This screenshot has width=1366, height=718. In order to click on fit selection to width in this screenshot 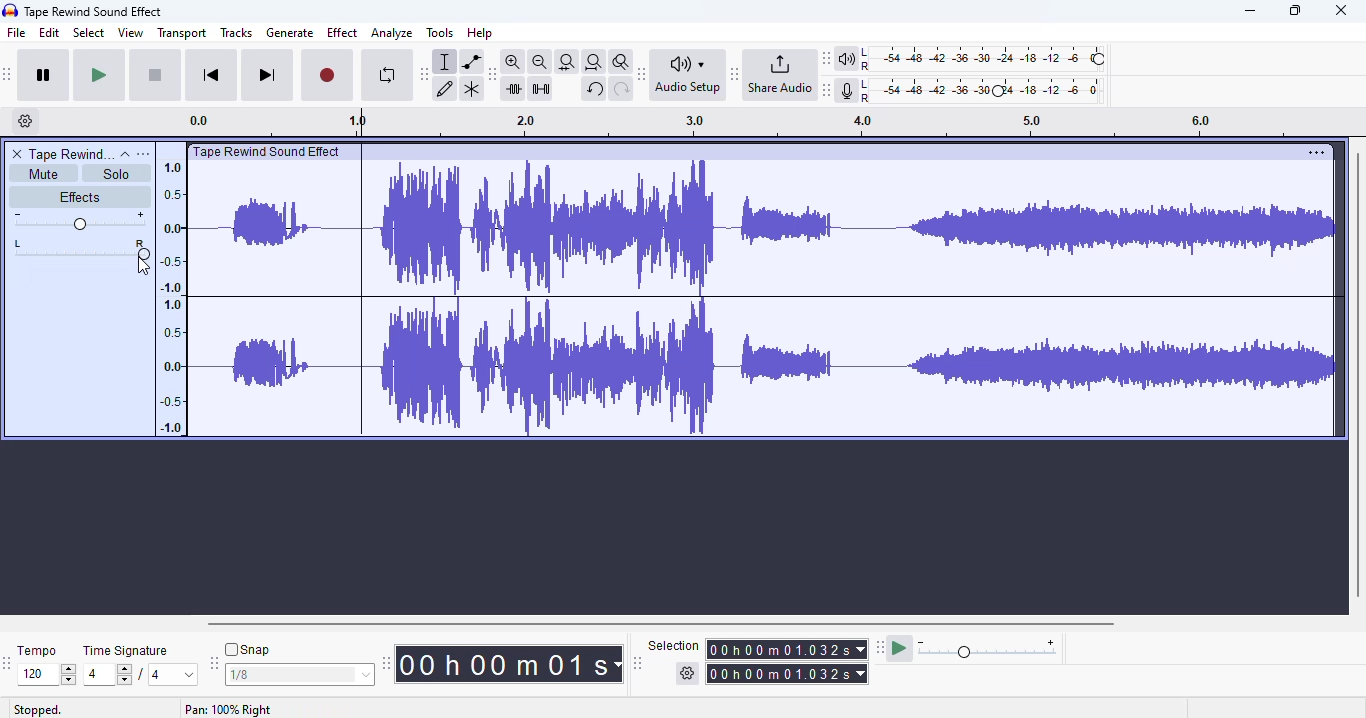, I will do `click(567, 63)`.